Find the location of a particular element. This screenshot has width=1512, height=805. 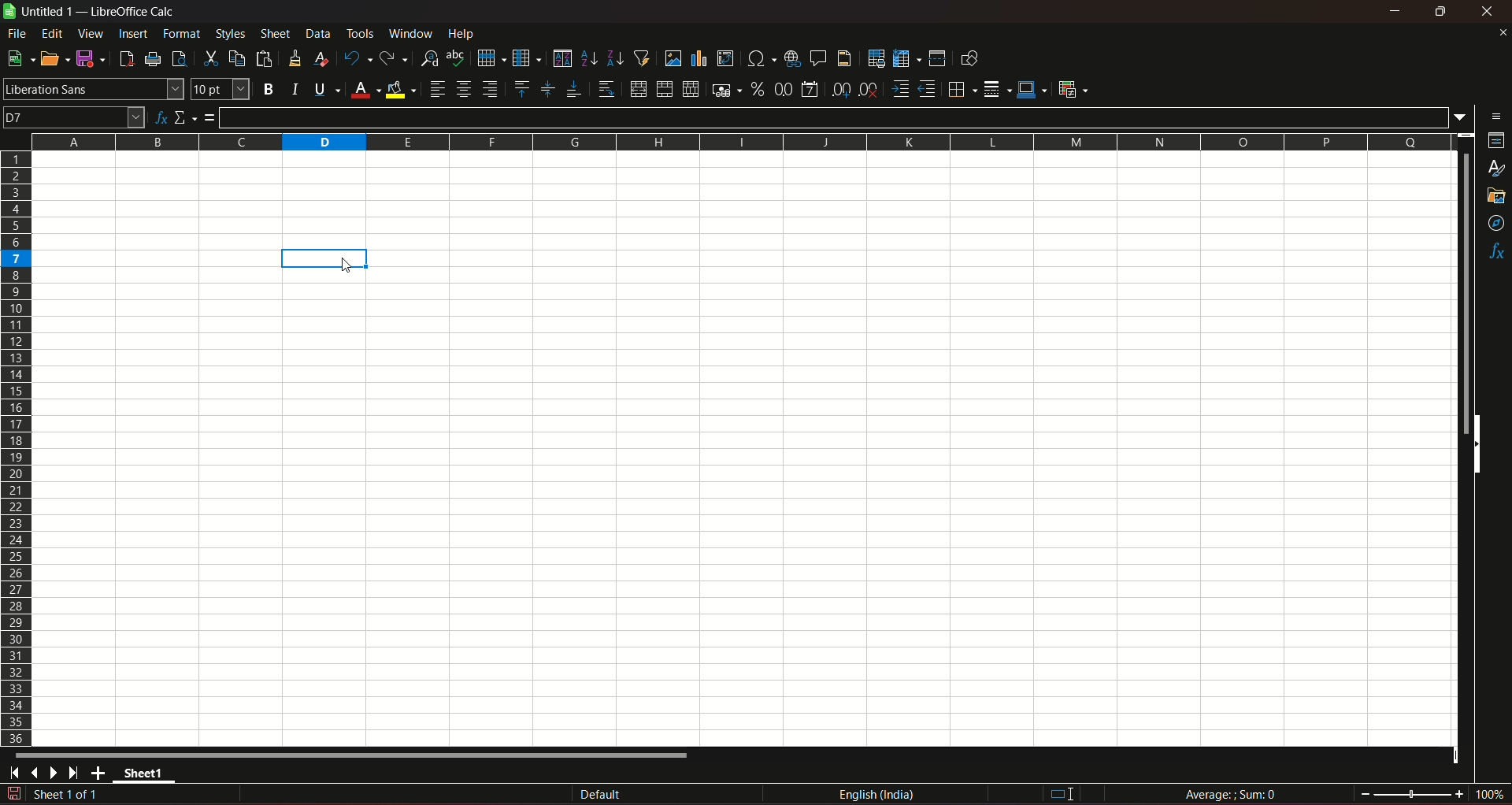

sidebar settings is located at coordinates (1497, 115).